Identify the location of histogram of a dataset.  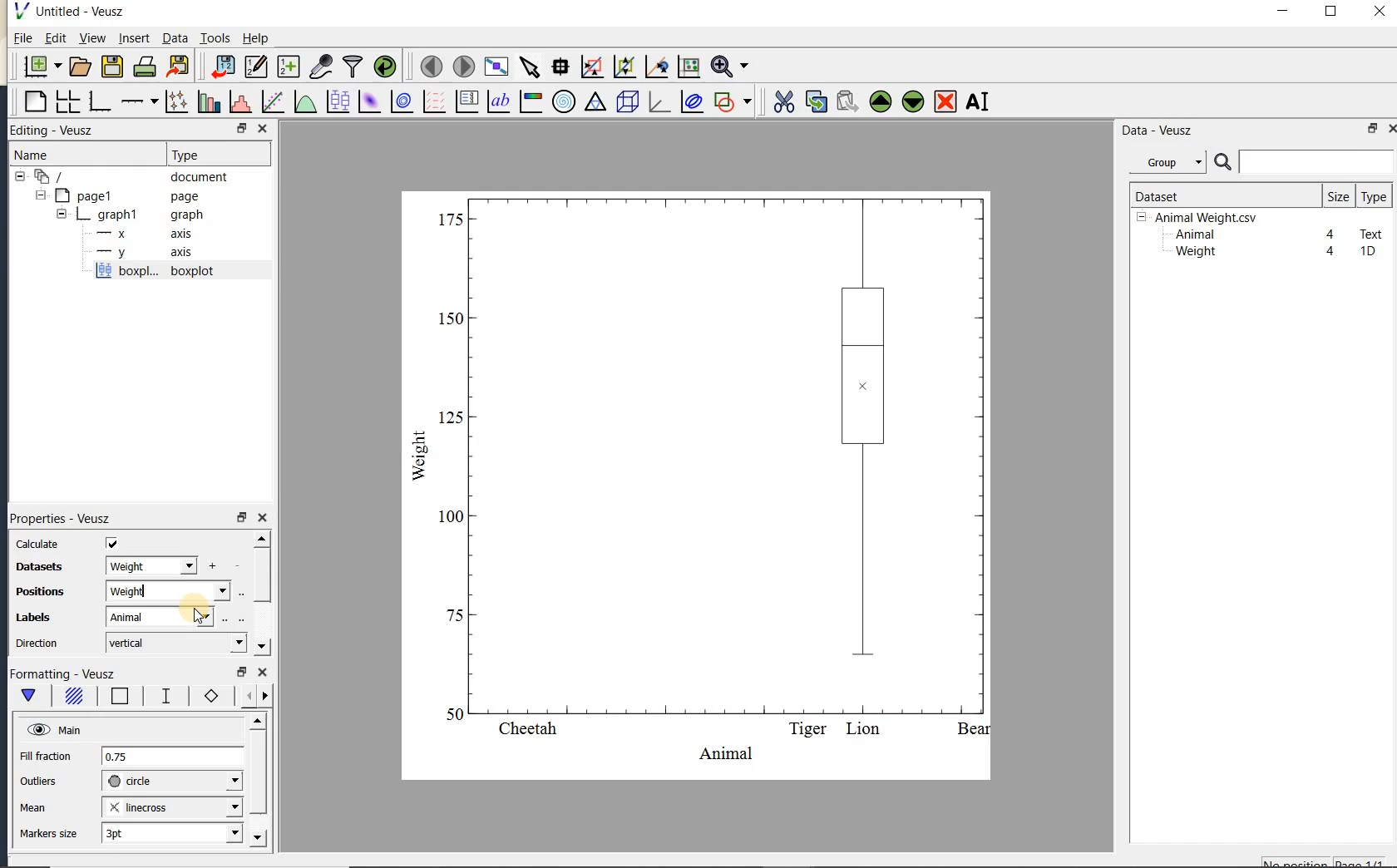
(239, 101).